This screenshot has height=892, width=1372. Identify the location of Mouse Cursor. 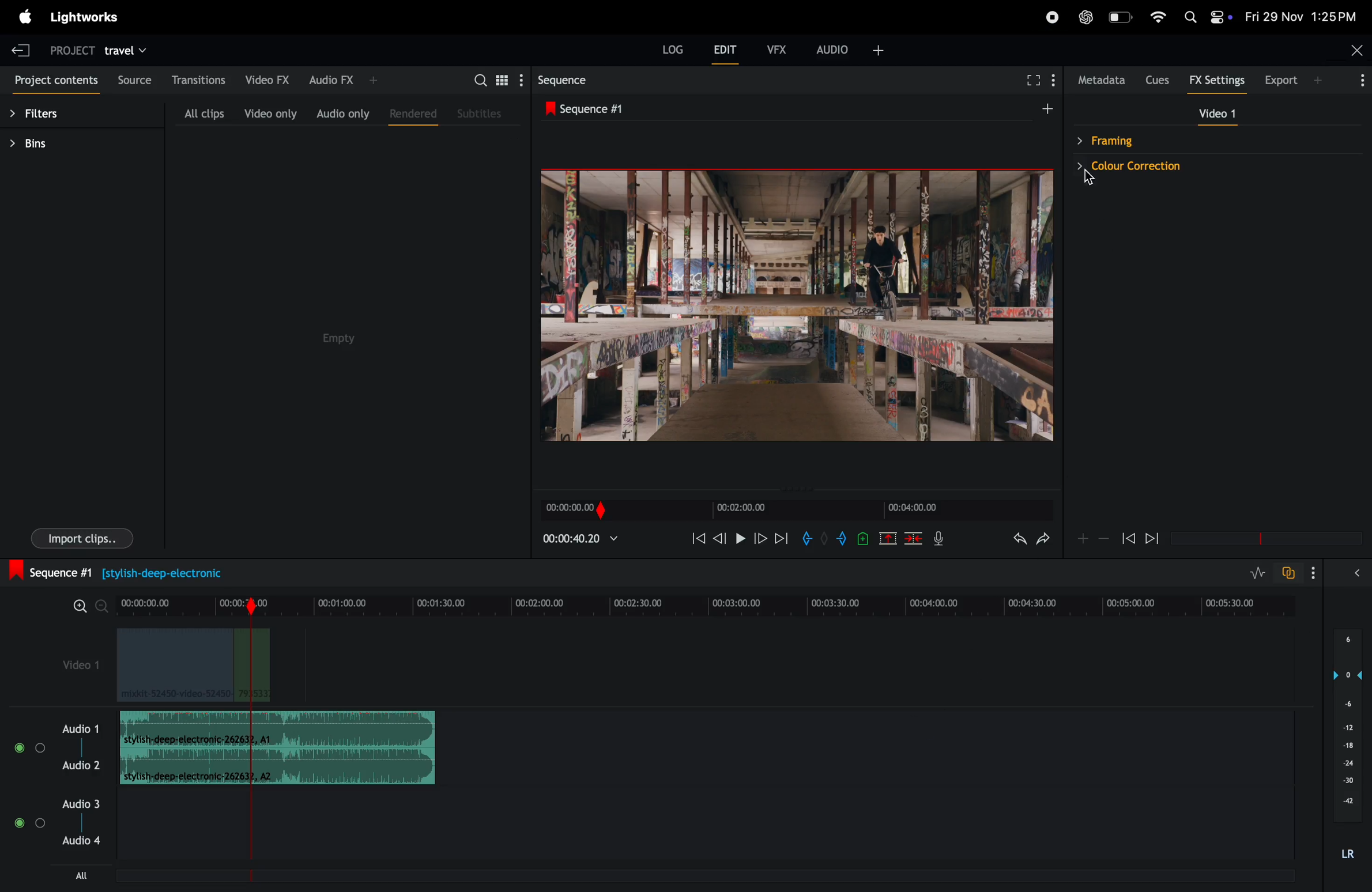
(1087, 177).